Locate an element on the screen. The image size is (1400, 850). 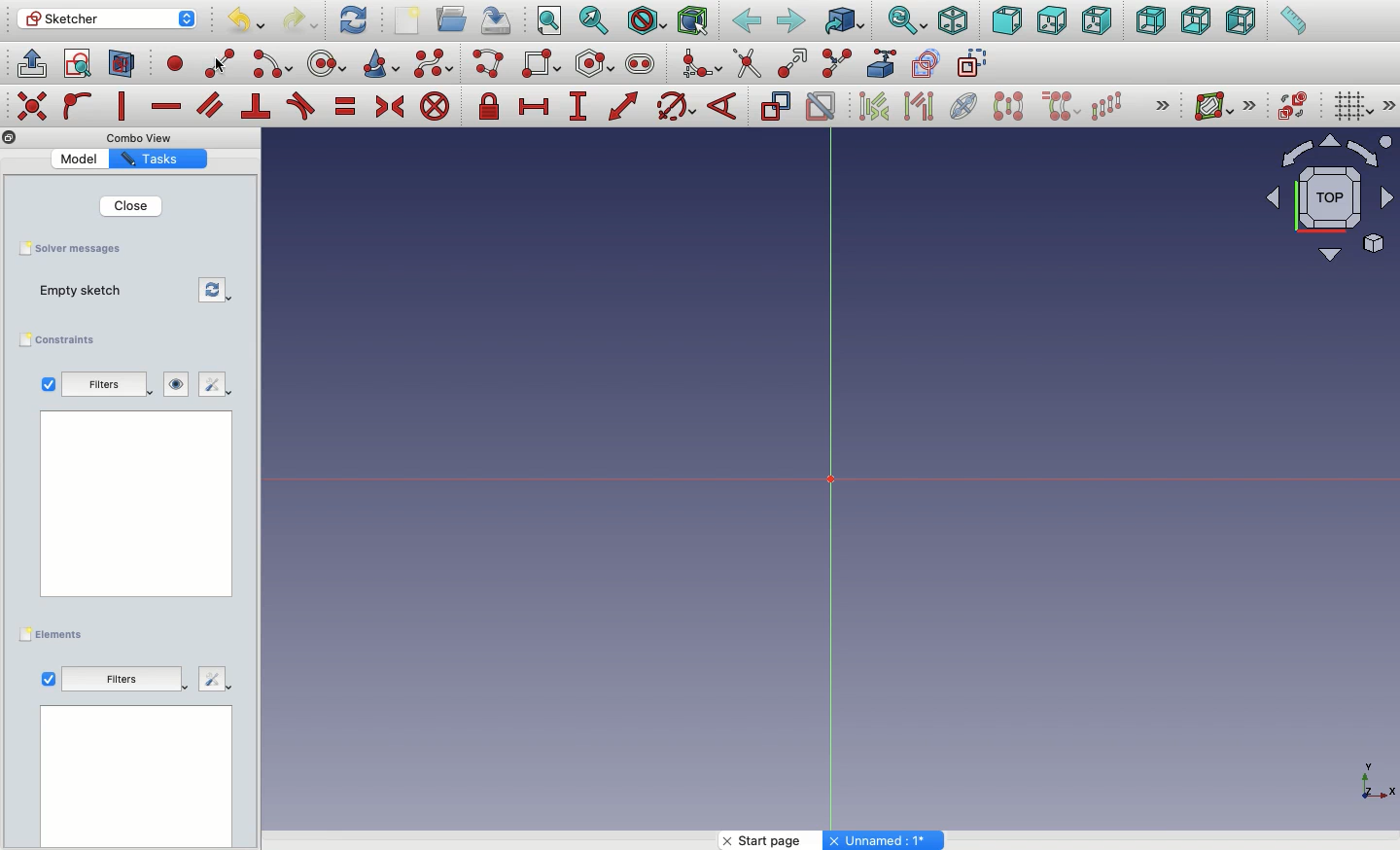
Rectangle is located at coordinates (543, 64).